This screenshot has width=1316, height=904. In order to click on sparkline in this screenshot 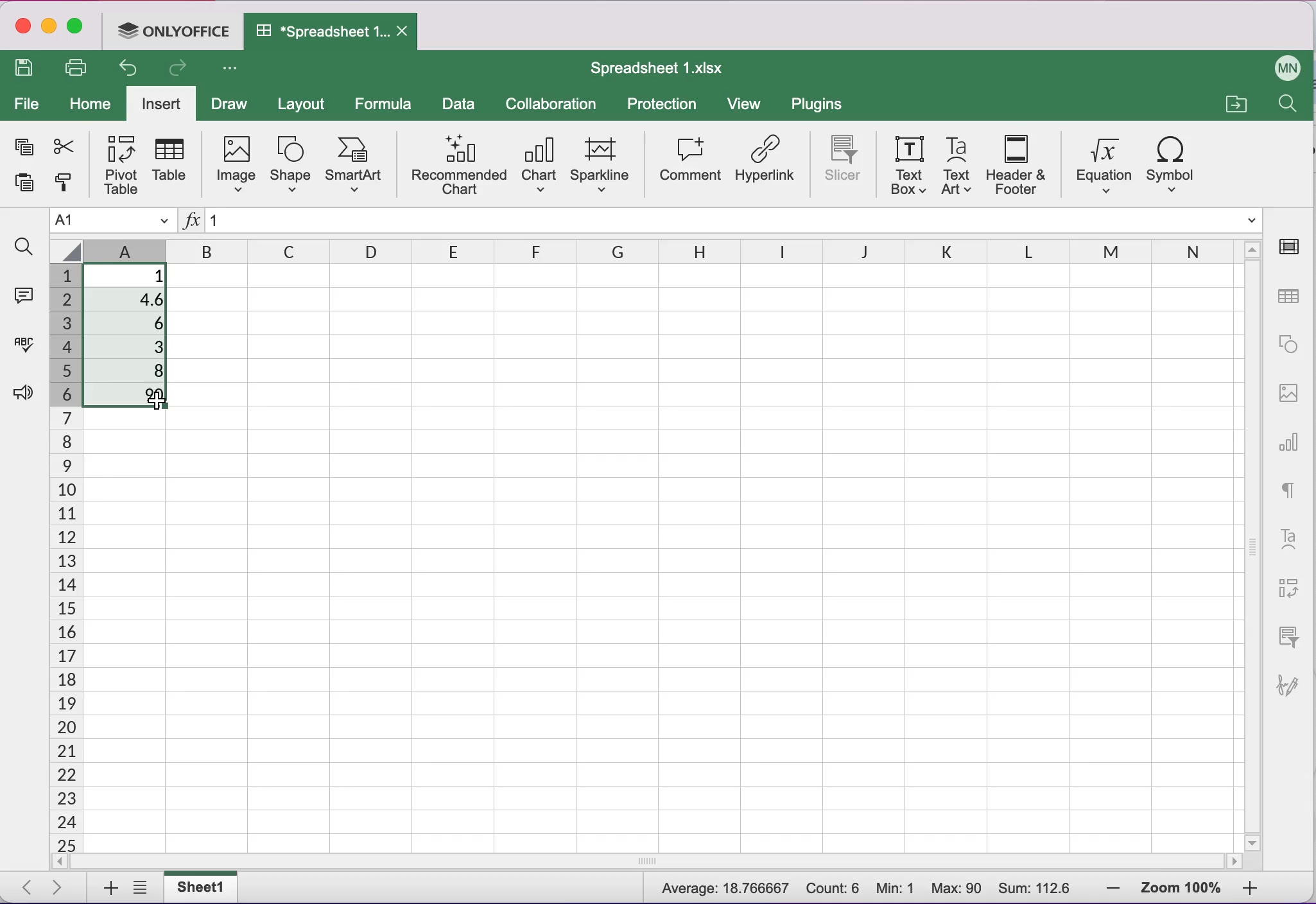, I will do `click(602, 164)`.